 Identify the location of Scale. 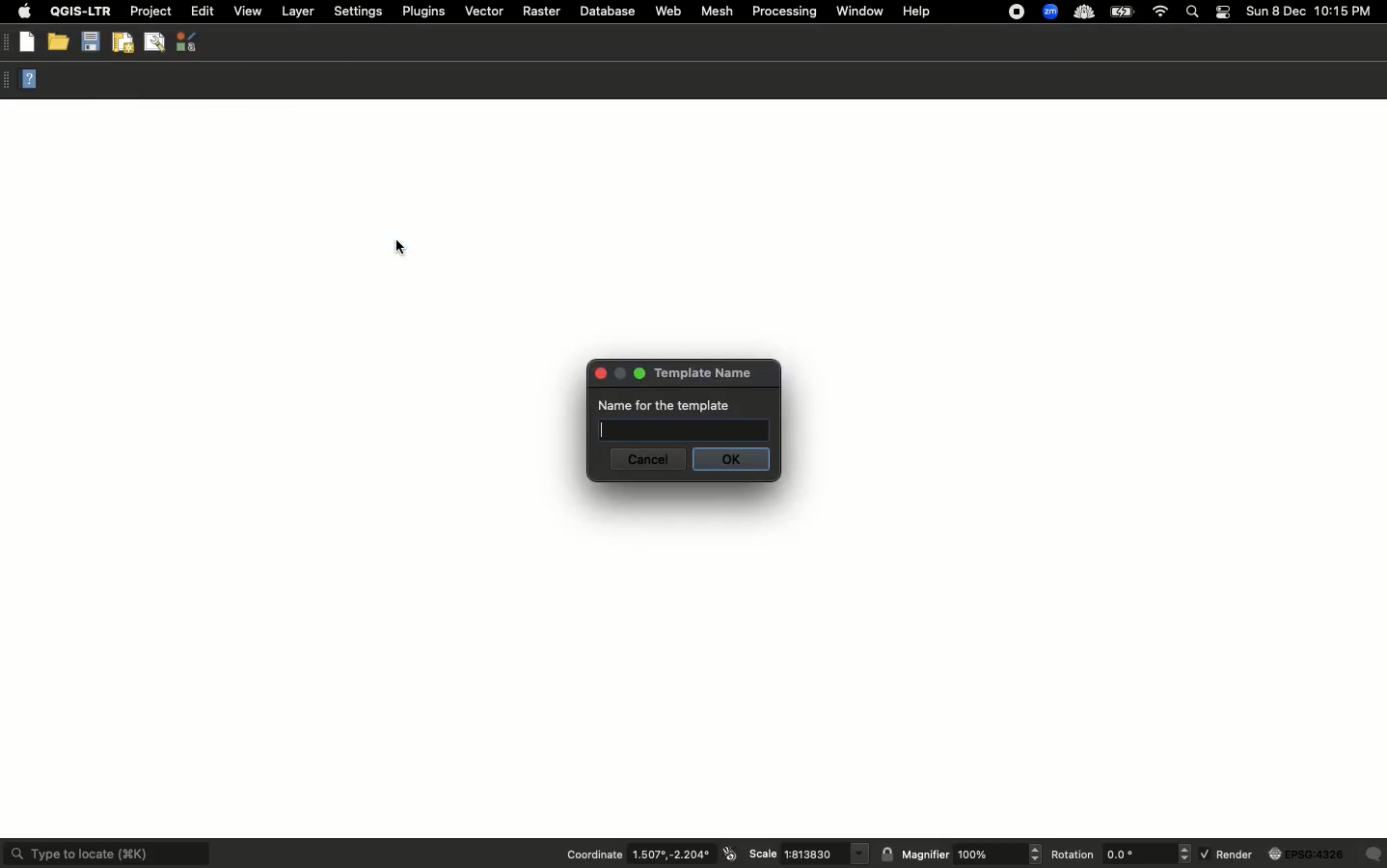
(761, 854).